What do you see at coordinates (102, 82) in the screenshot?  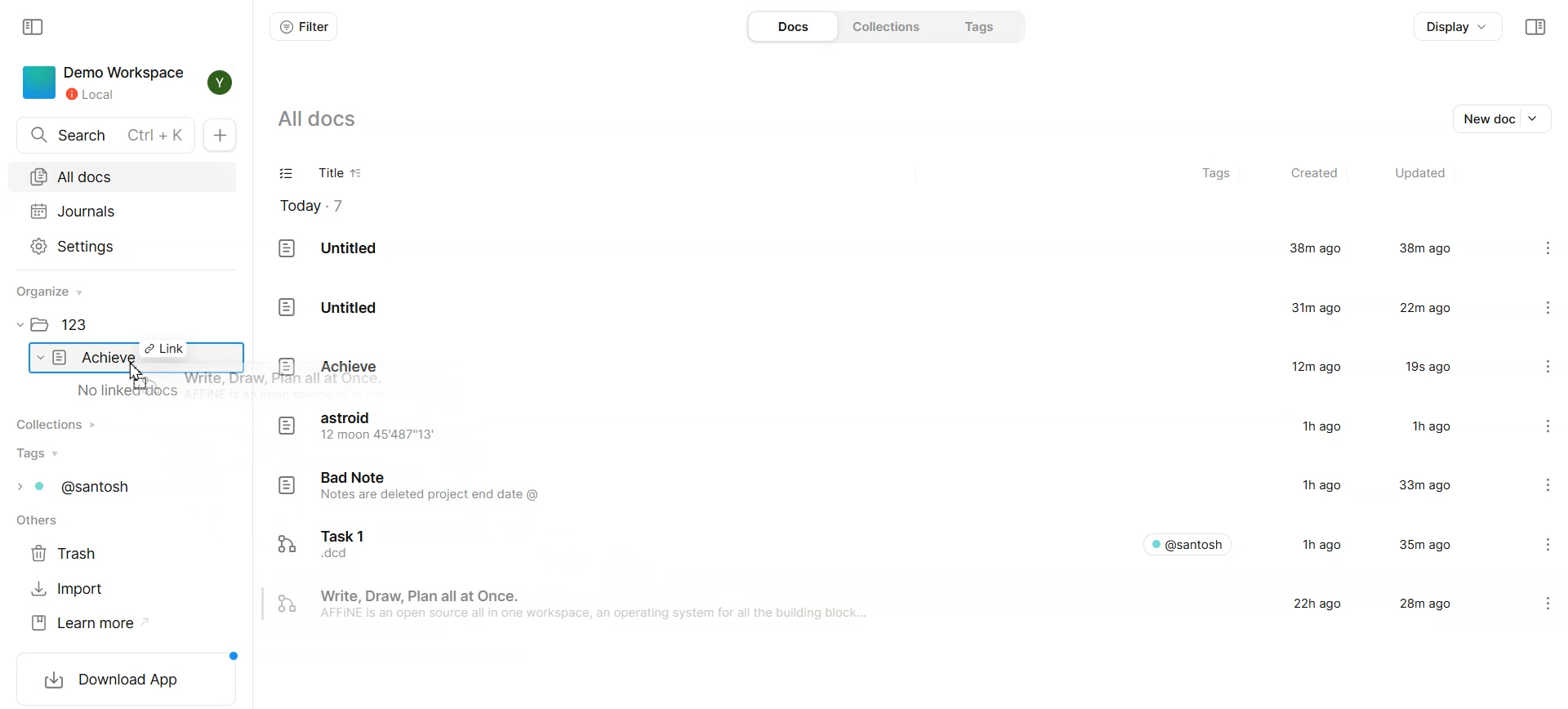 I see `Demo workspace` at bounding box center [102, 82].